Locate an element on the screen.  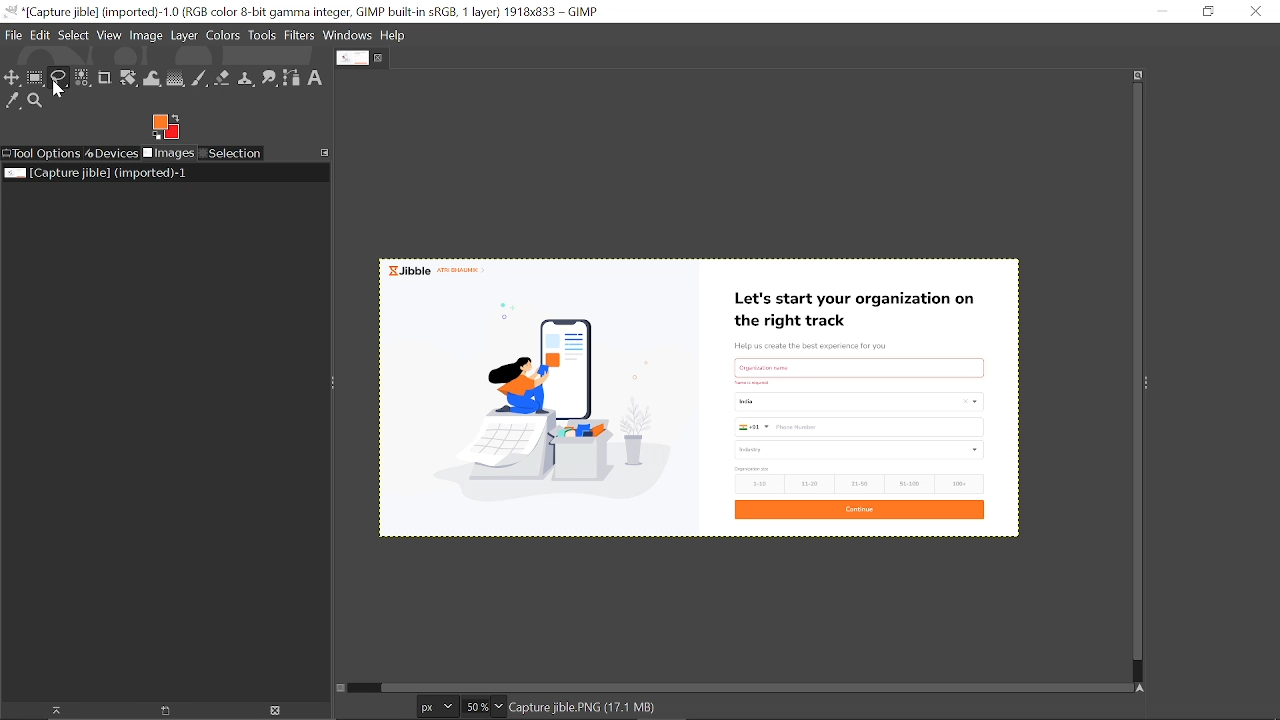
Wrap text tool is located at coordinates (153, 79).